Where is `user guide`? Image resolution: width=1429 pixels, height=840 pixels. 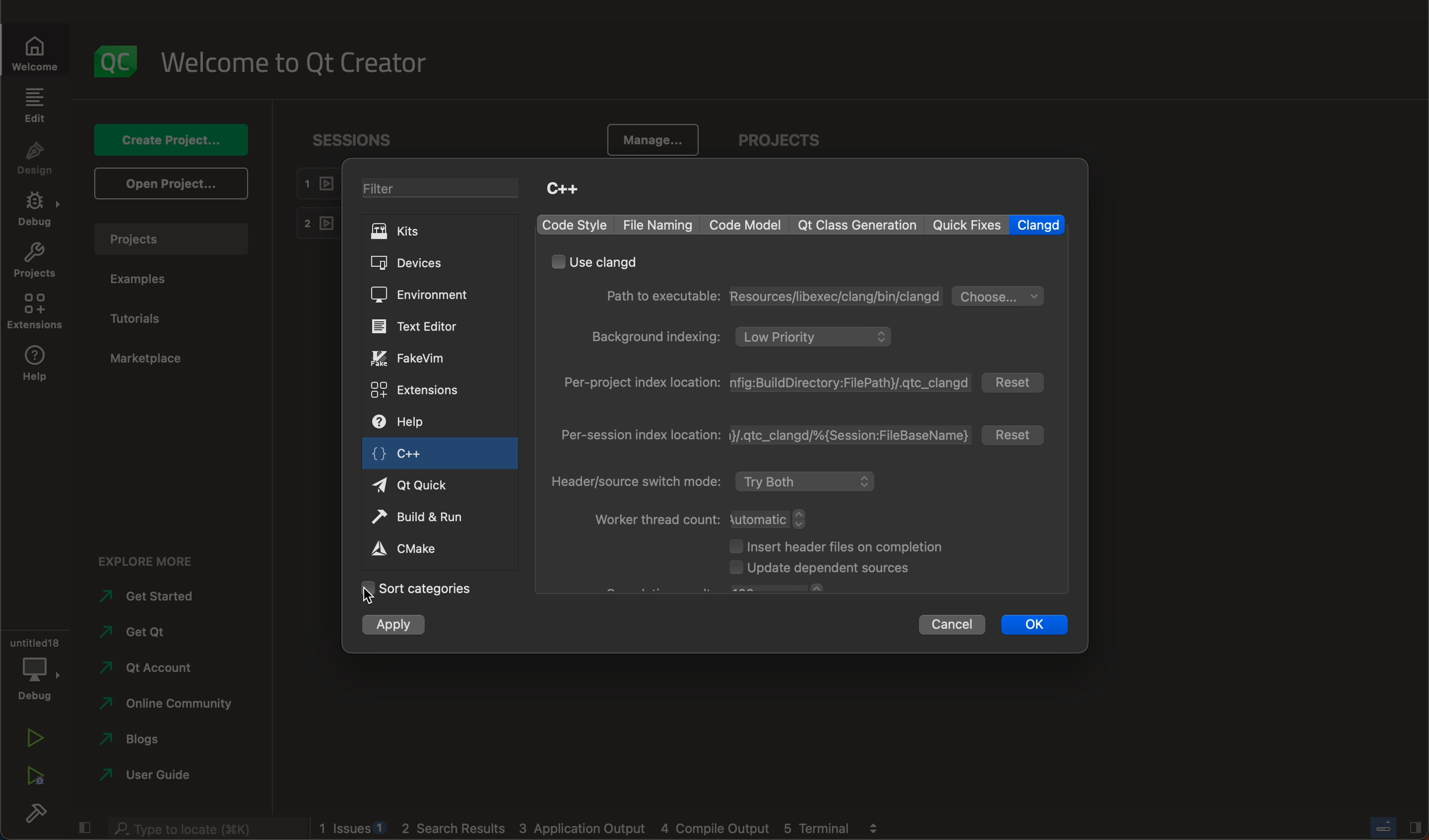 user guide is located at coordinates (161, 775).